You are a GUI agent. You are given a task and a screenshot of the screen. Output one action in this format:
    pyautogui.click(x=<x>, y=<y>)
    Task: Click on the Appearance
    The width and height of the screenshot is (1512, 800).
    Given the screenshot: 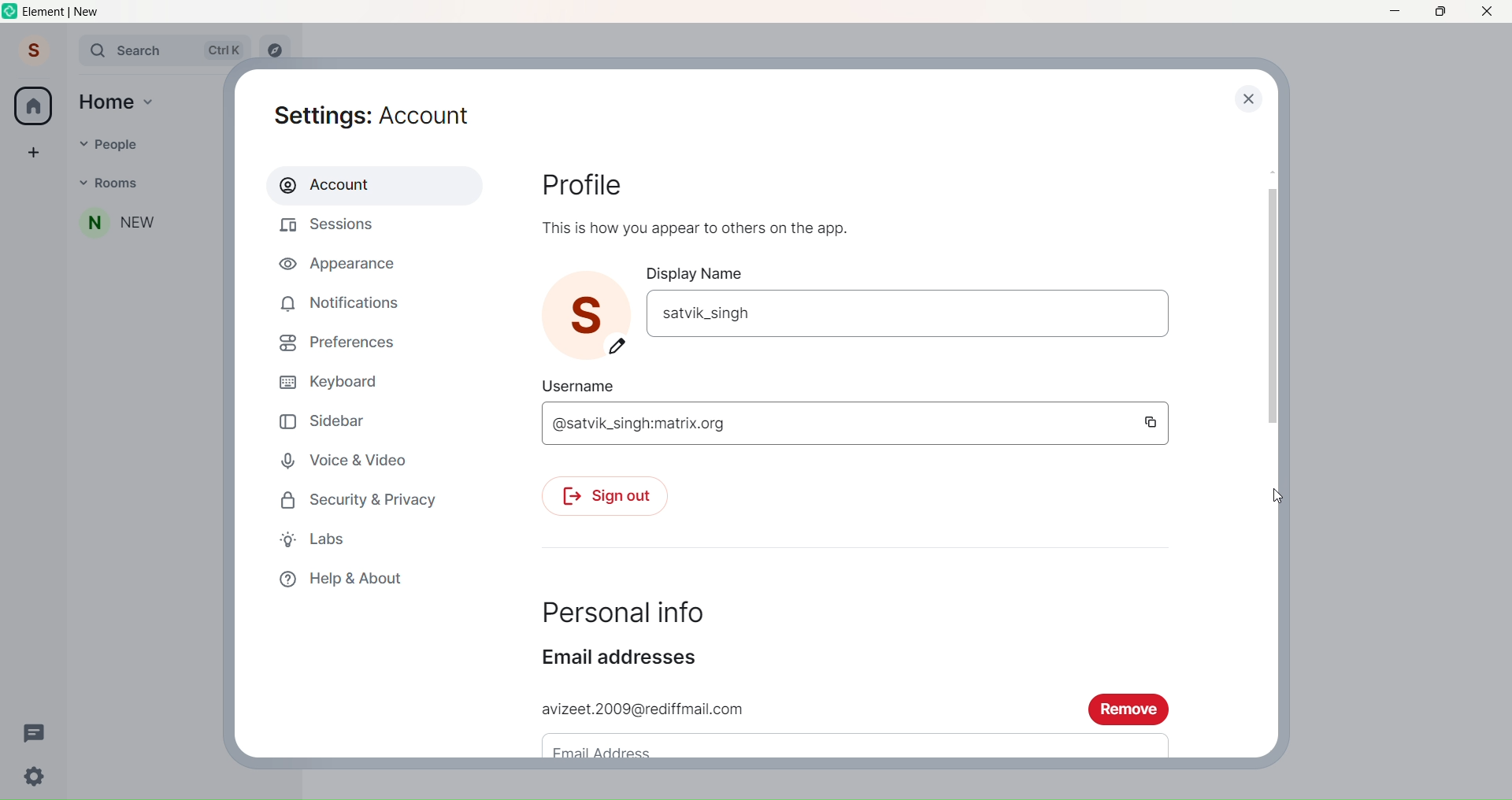 What is the action you would take?
    pyautogui.click(x=342, y=267)
    